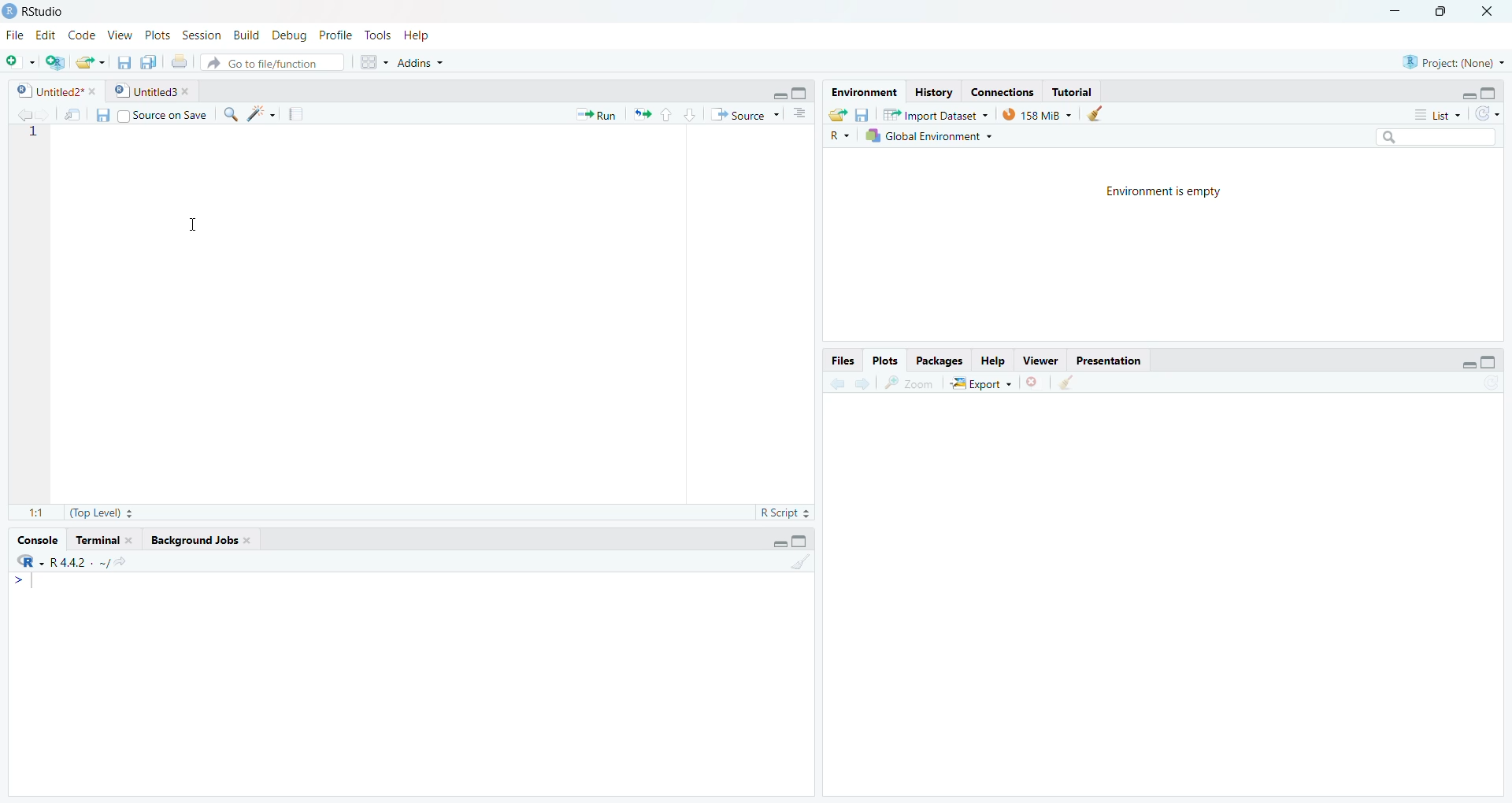 The width and height of the screenshot is (1512, 803). Describe the element at coordinates (379, 33) in the screenshot. I see `Tools` at that location.